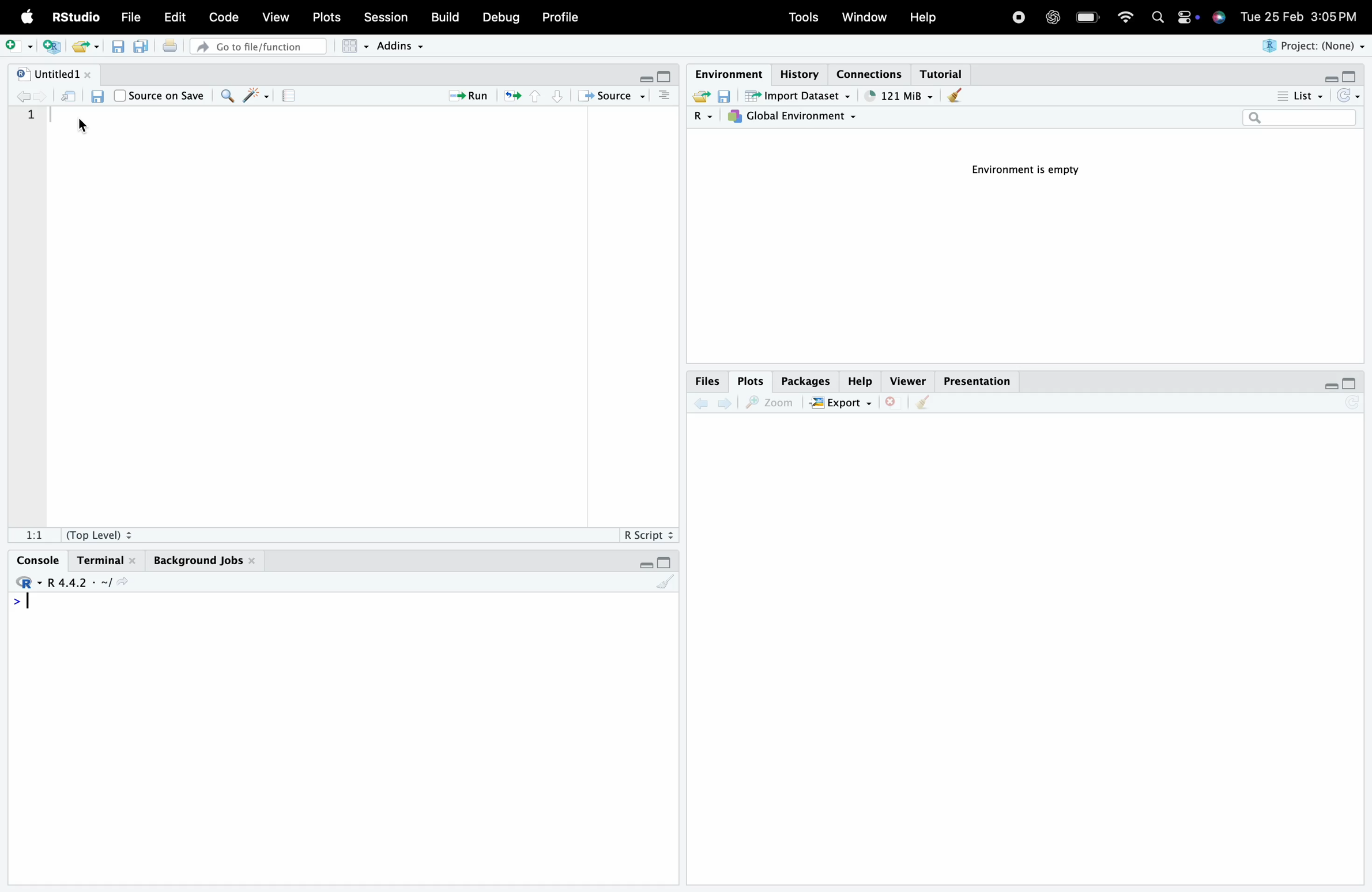 The image size is (1372, 892). What do you see at coordinates (669, 78) in the screenshot?
I see `Maximize/Restore` at bounding box center [669, 78].